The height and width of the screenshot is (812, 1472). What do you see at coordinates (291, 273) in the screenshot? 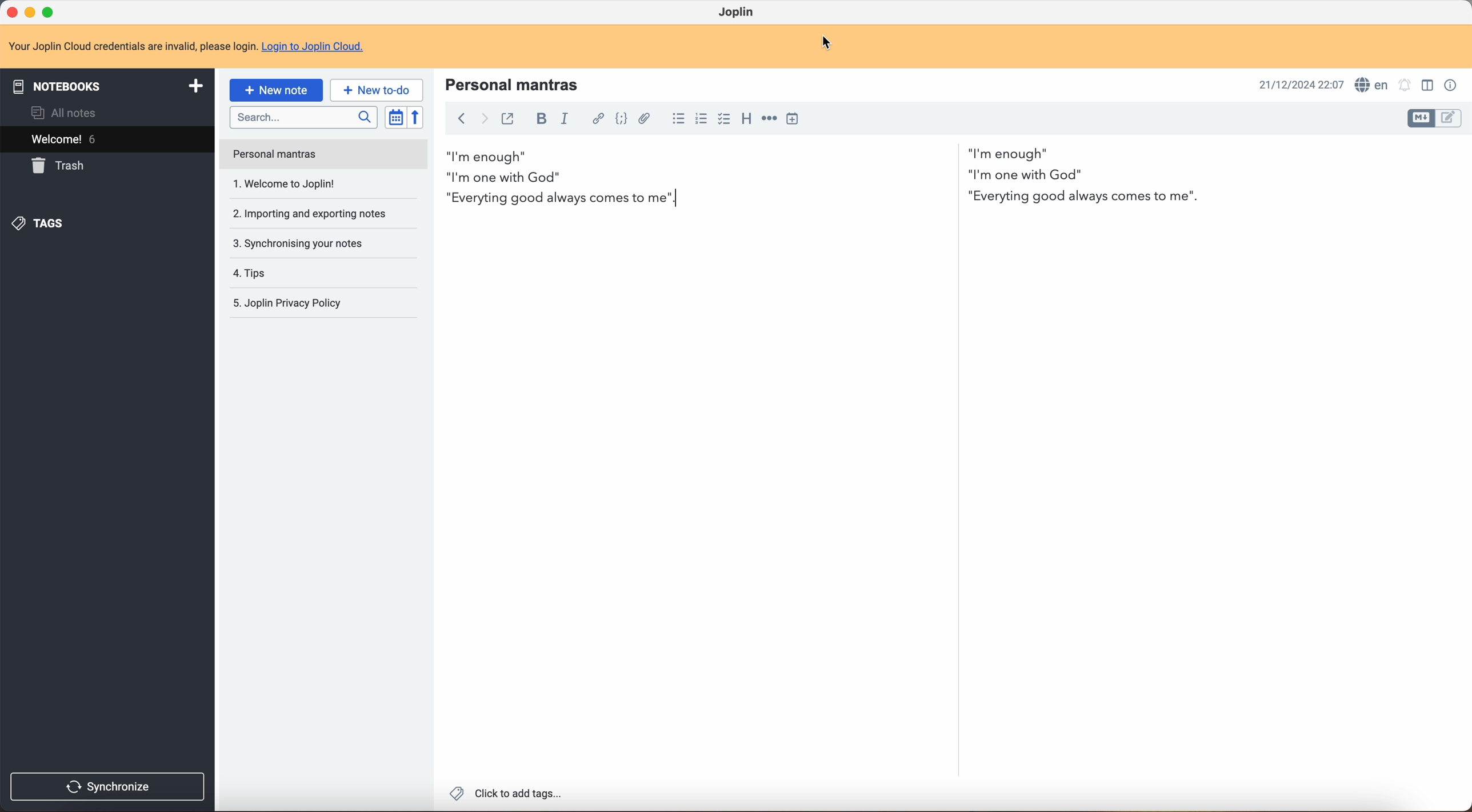
I see `Joplin privacy policy` at bounding box center [291, 273].